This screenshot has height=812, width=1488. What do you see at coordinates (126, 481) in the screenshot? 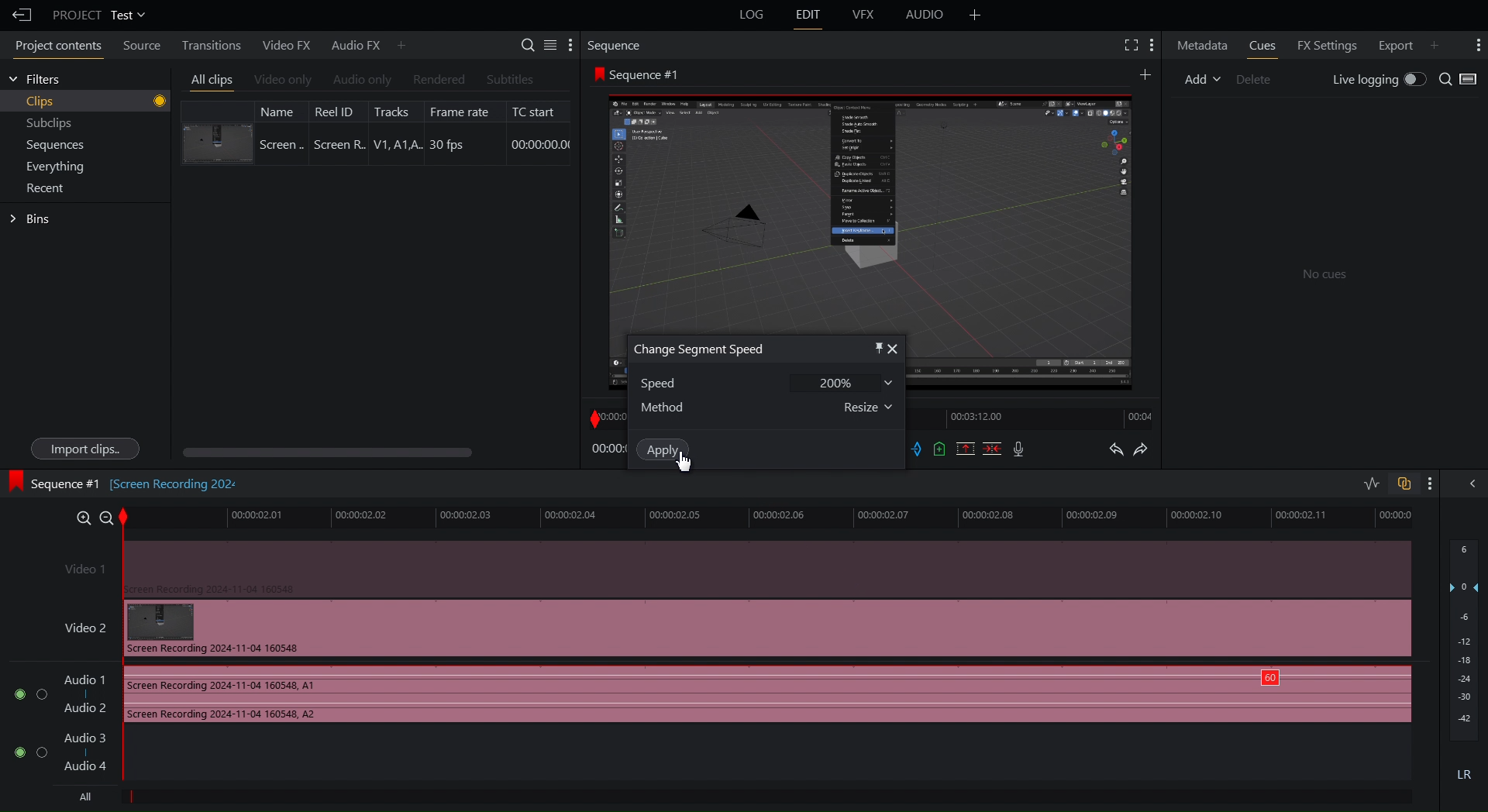
I see `Sequence #1 [Screen Recording 202` at bounding box center [126, 481].